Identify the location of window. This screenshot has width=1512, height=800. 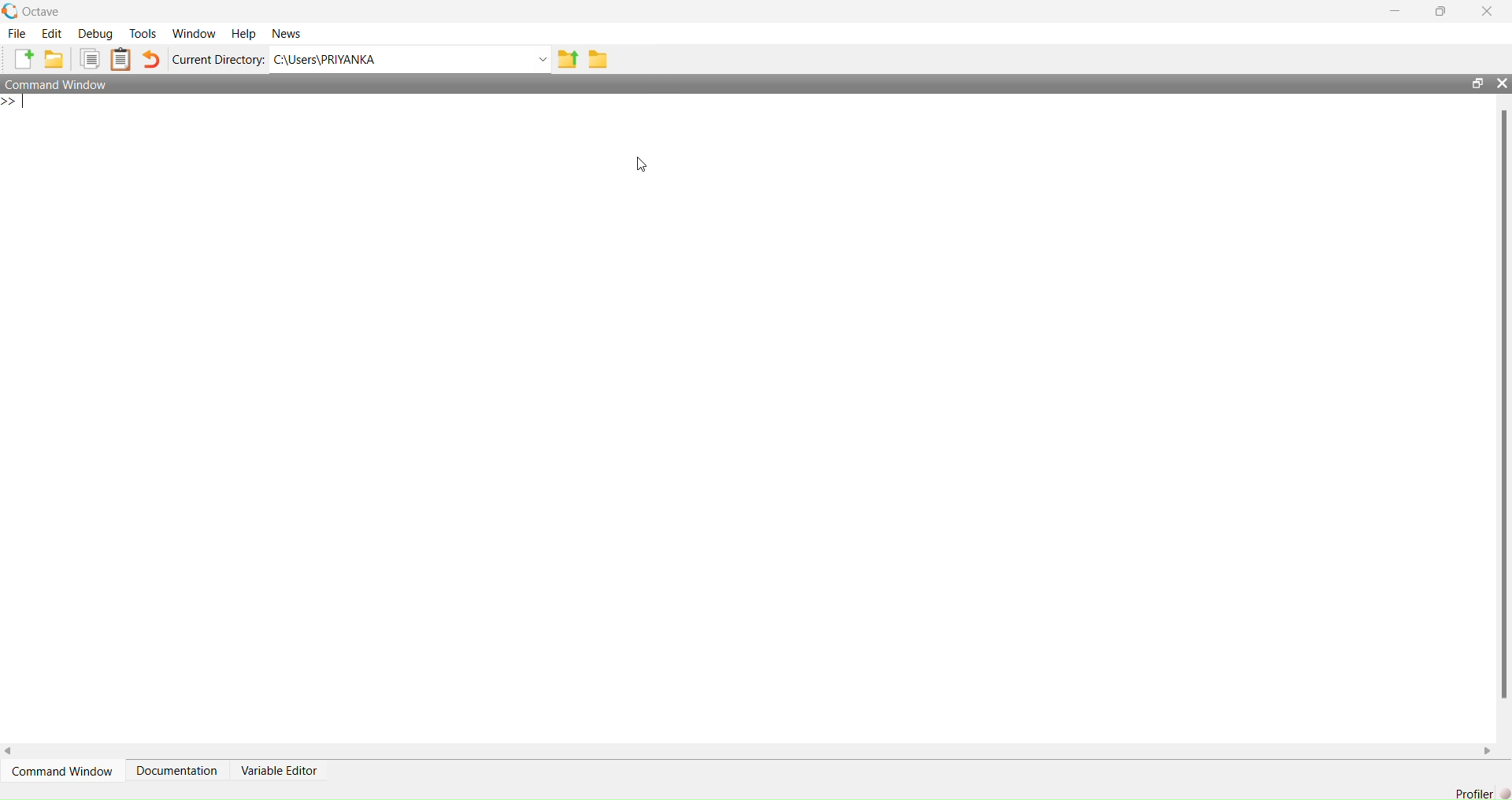
(194, 35).